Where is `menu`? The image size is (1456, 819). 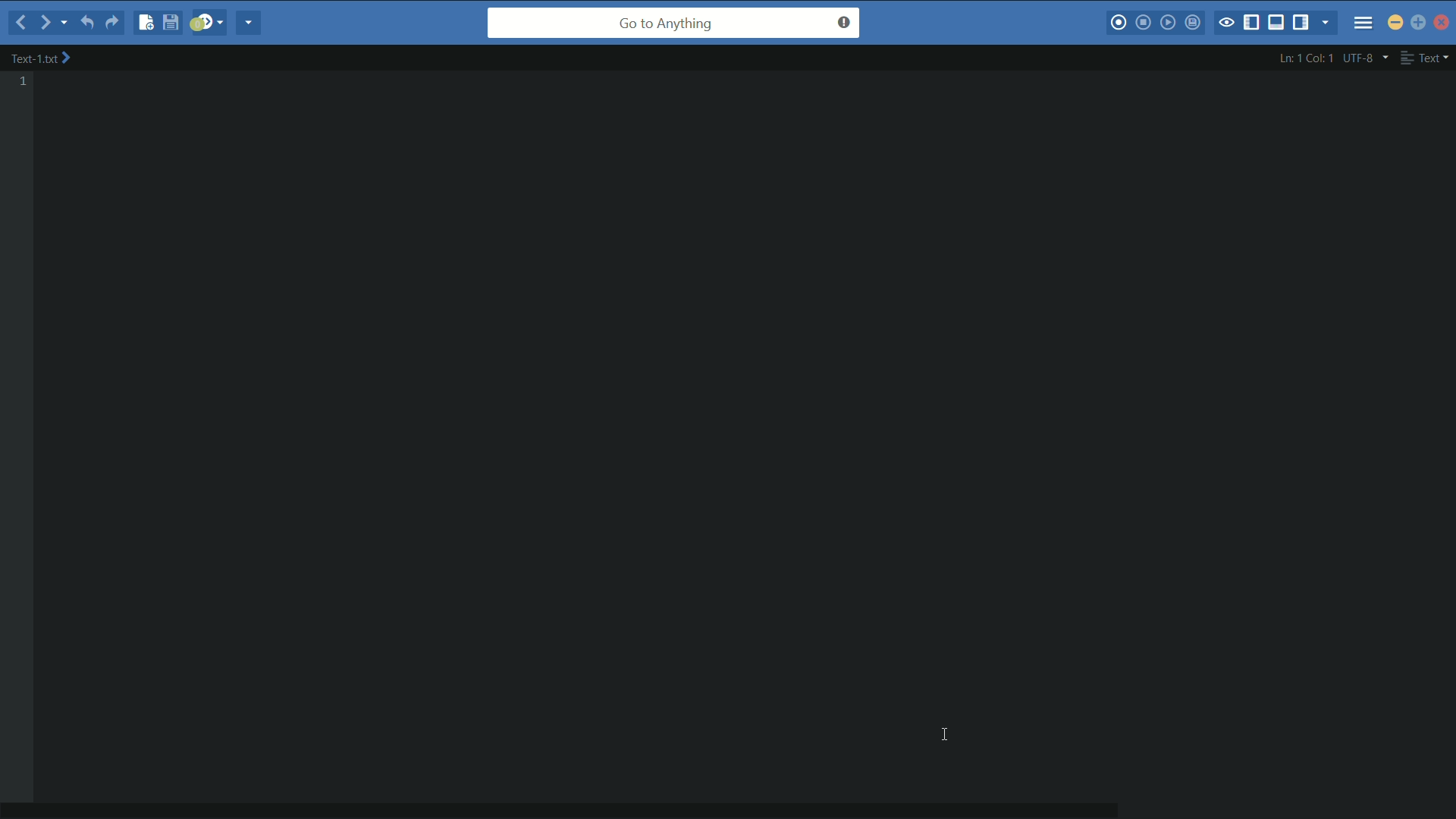 menu is located at coordinates (1364, 24).